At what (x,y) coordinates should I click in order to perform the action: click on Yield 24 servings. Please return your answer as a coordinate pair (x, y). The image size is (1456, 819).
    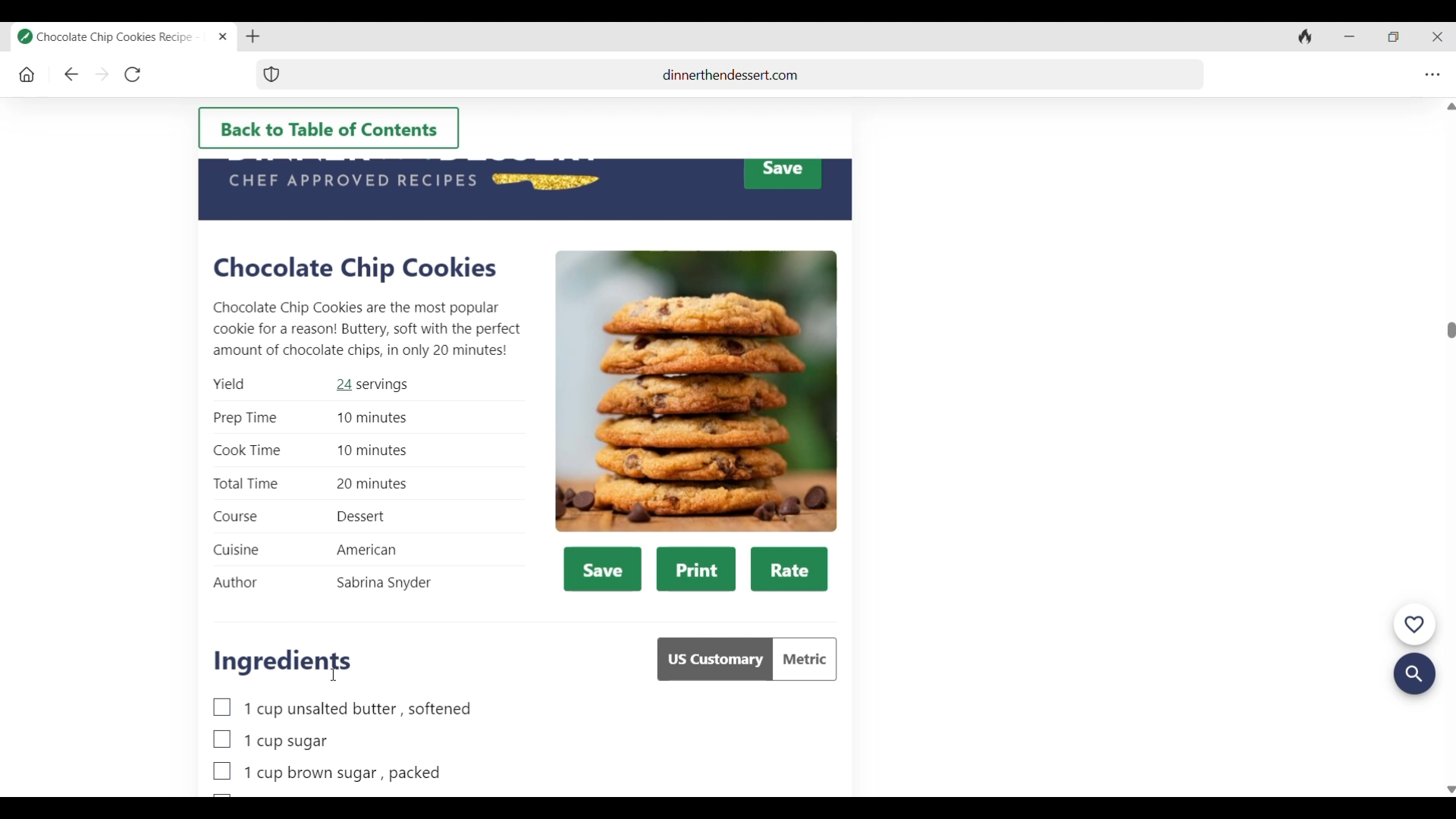
    Looking at the image, I should click on (310, 385).